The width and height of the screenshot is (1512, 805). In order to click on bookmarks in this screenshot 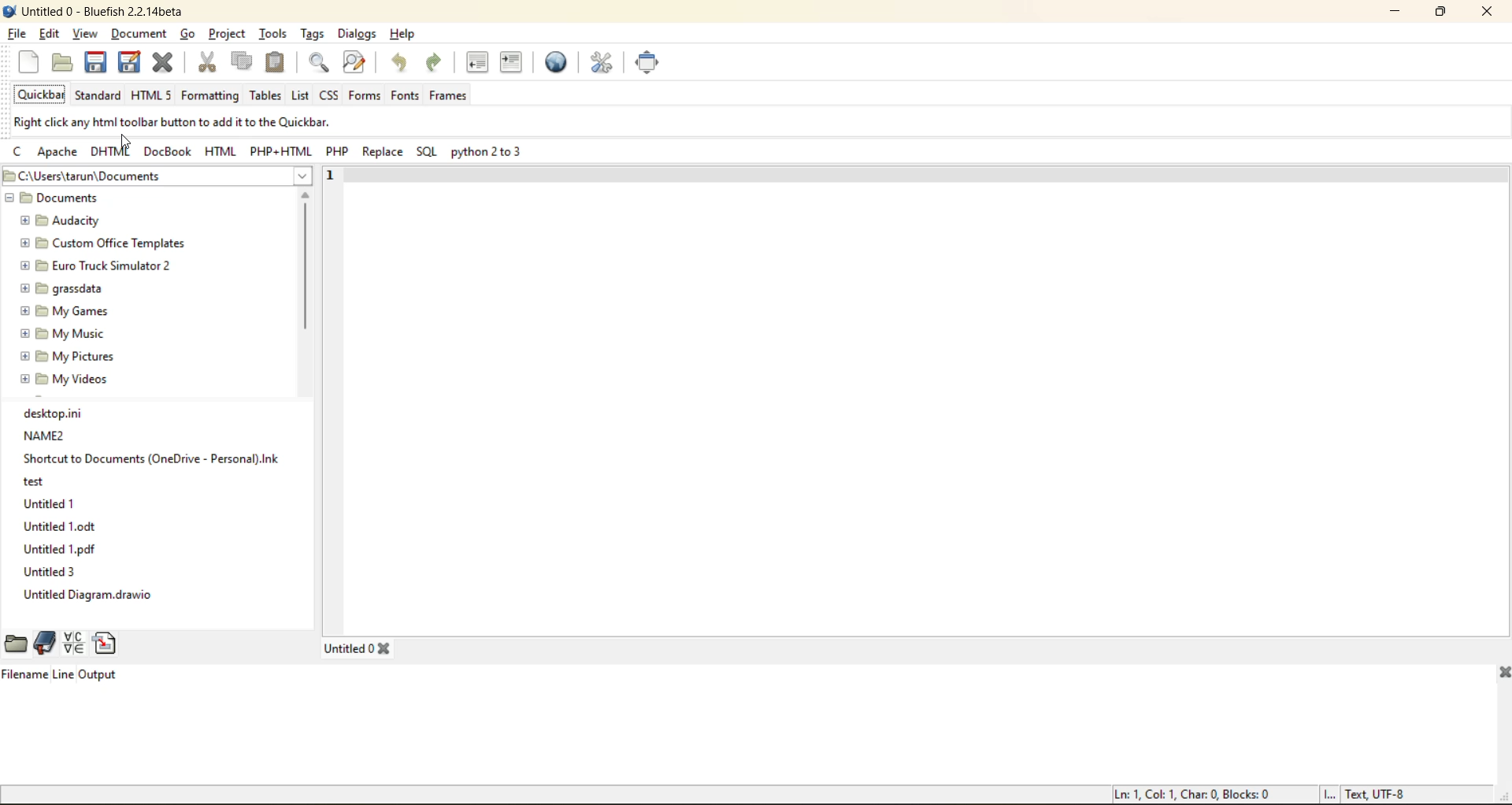, I will do `click(46, 640)`.